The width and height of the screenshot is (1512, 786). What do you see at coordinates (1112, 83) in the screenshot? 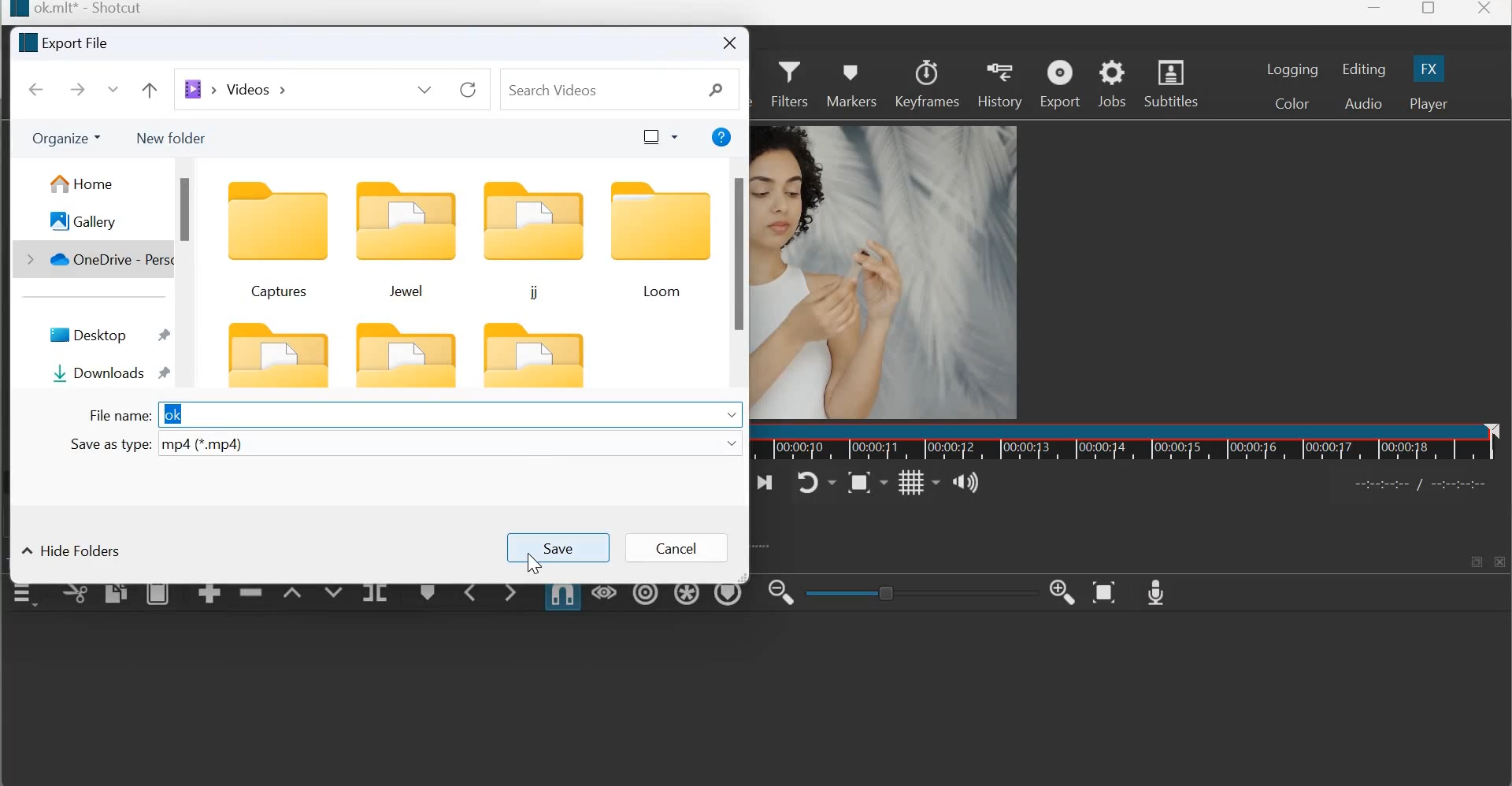
I see `Jobs` at bounding box center [1112, 83].